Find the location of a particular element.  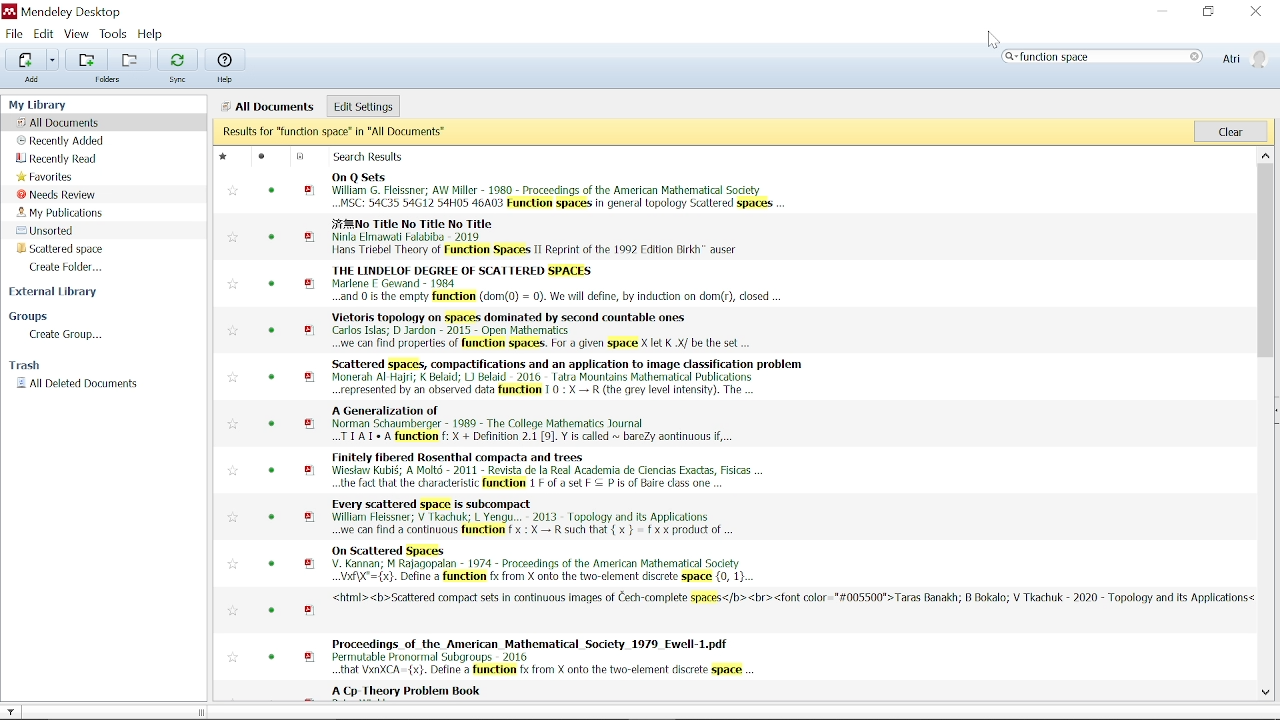

Scattered space is located at coordinates (58, 248).